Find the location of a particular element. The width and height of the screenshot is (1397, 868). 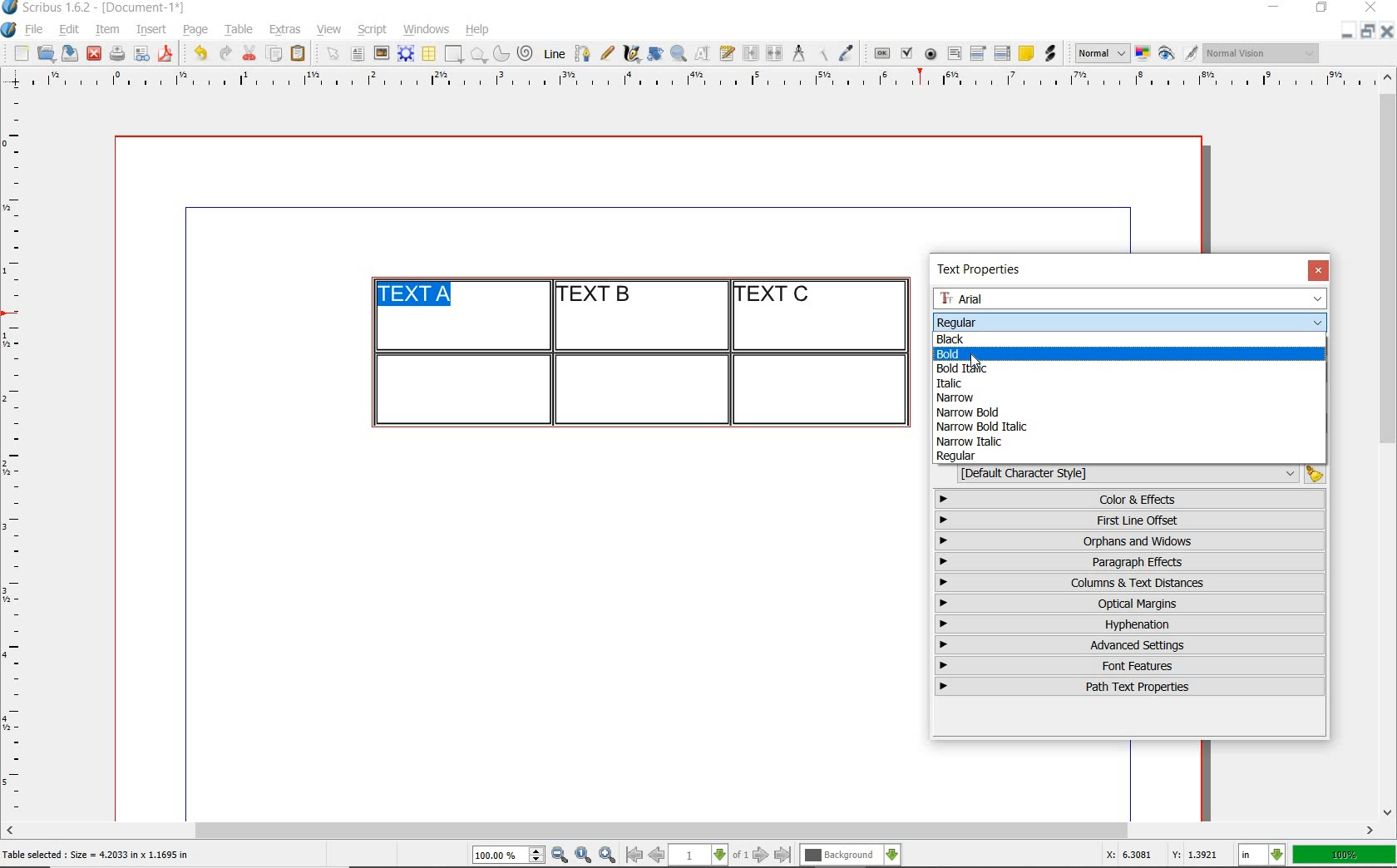

copy is located at coordinates (275, 55).